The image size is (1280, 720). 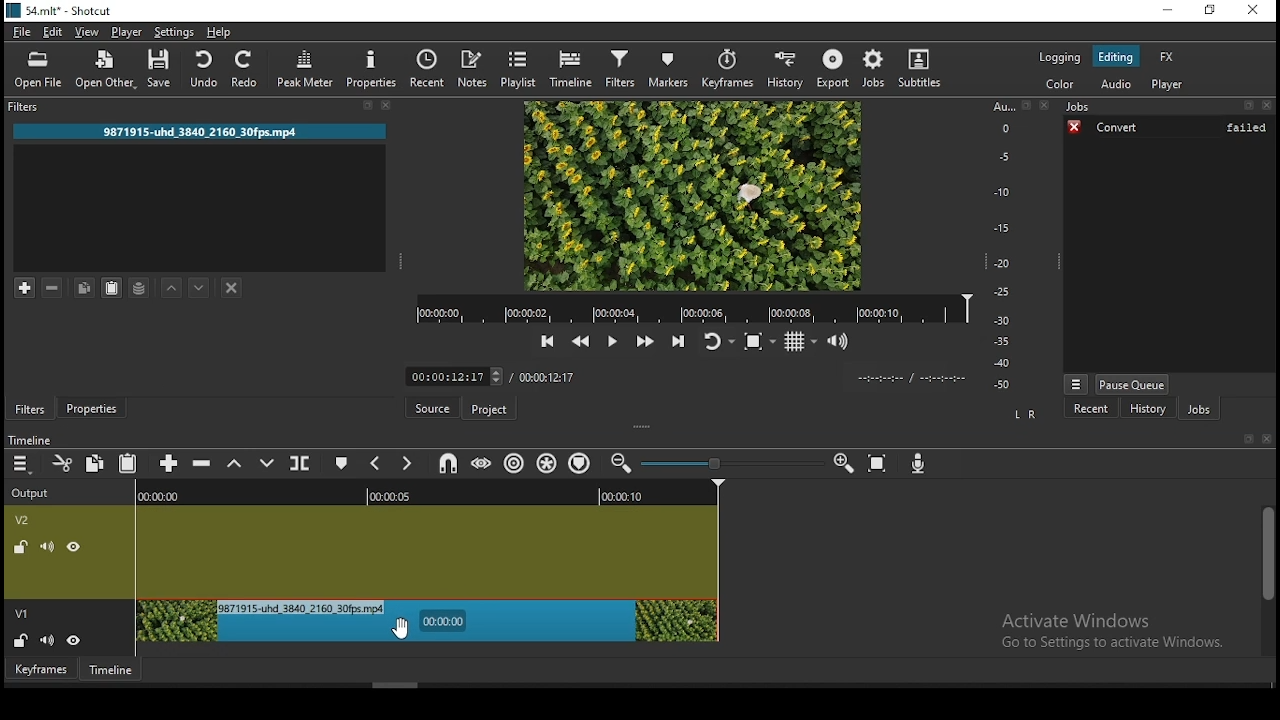 What do you see at coordinates (840, 343) in the screenshot?
I see `volume control` at bounding box center [840, 343].